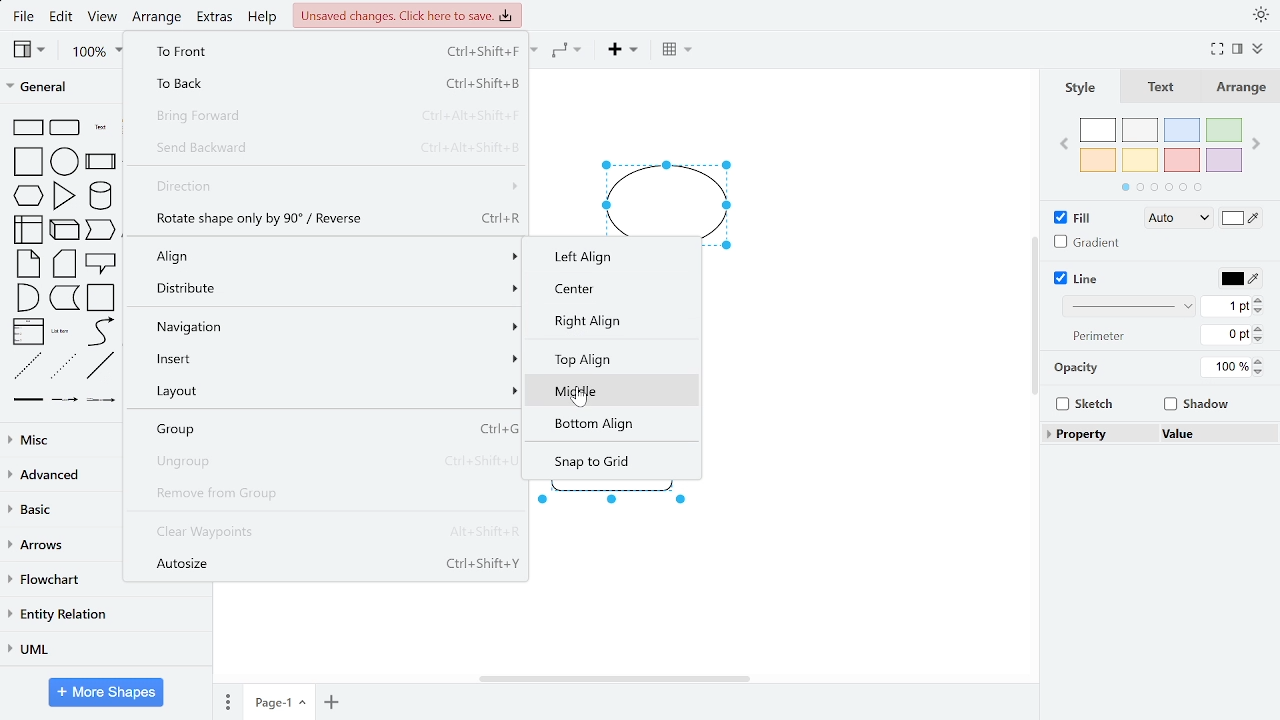 This screenshot has height=720, width=1280. I want to click on arrows, so click(59, 546).